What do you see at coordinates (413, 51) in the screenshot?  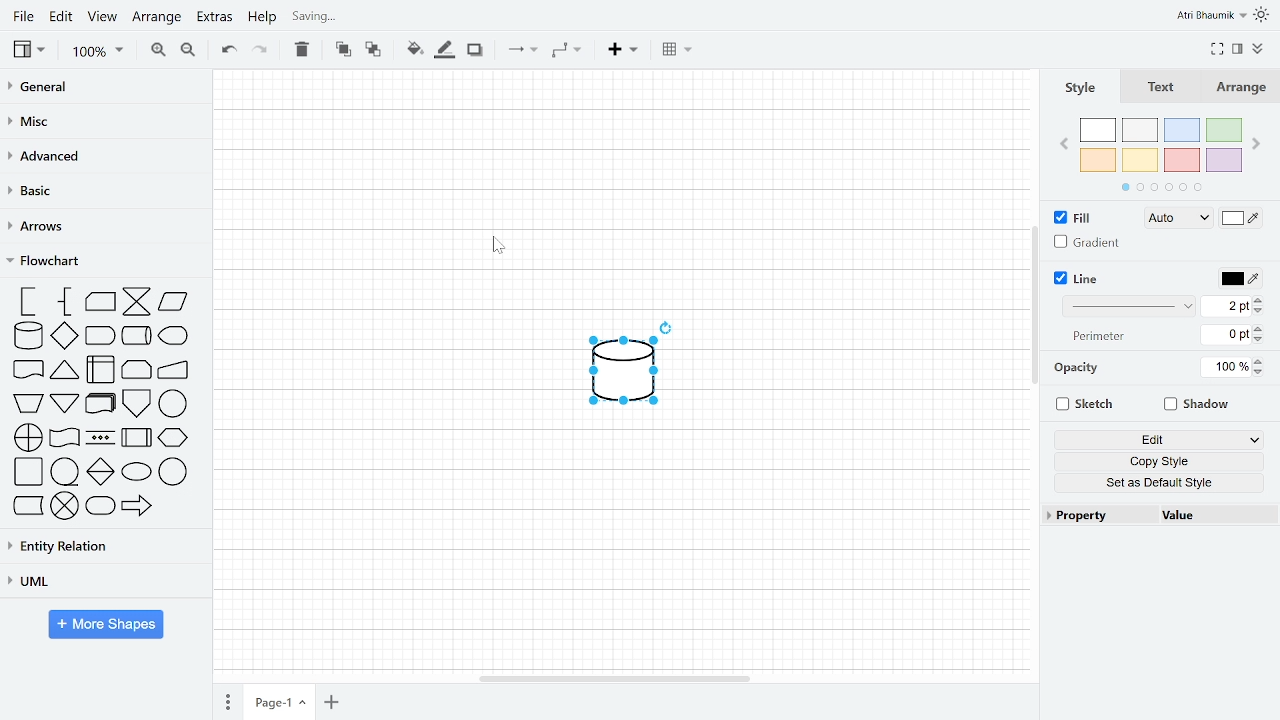 I see `Fill color` at bounding box center [413, 51].